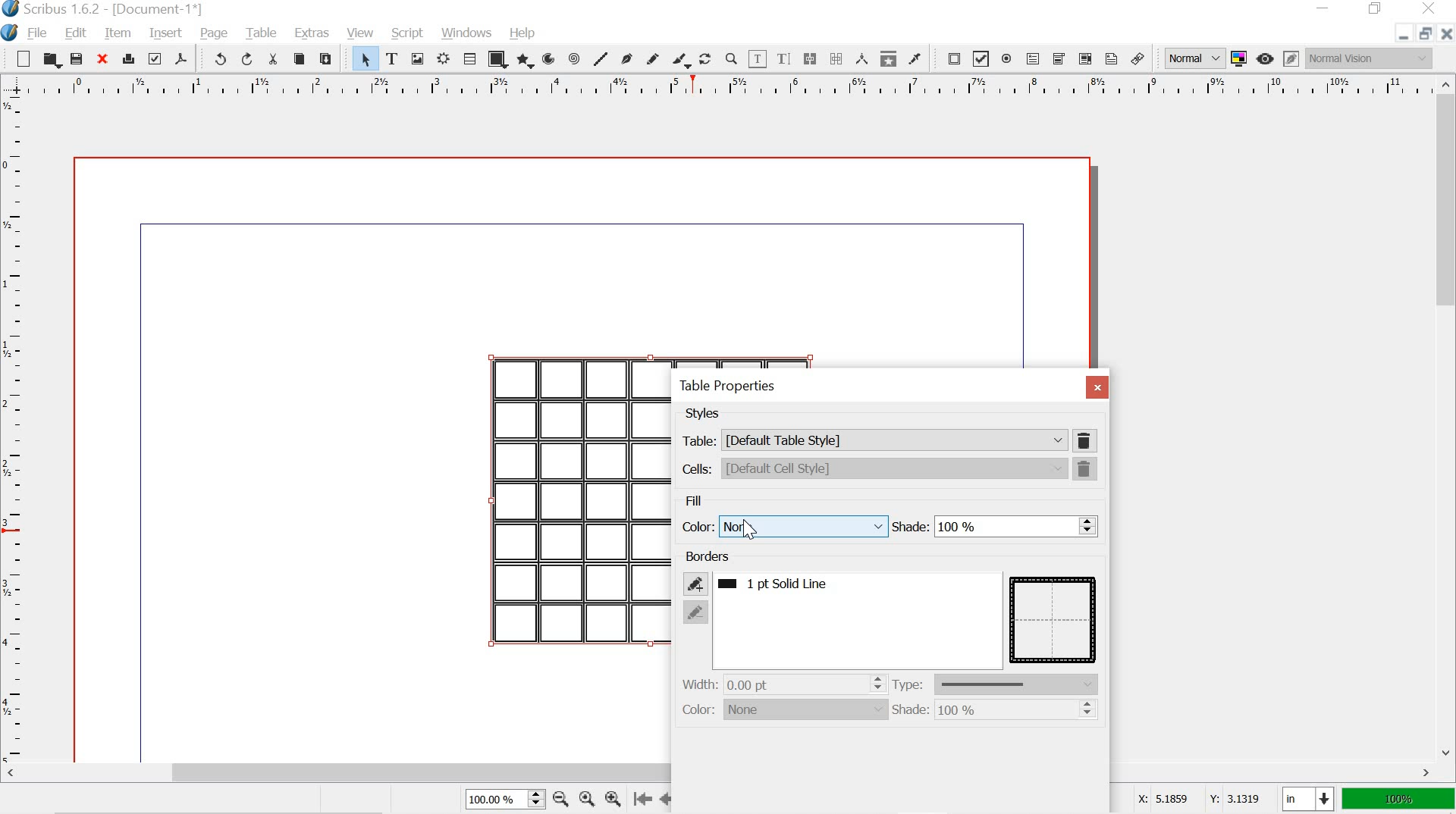 The height and width of the screenshot is (814, 1456). What do you see at coordinates (783, 58) in the screenshot?
I see `edit text with story editor` at bounding box center [783, 58].